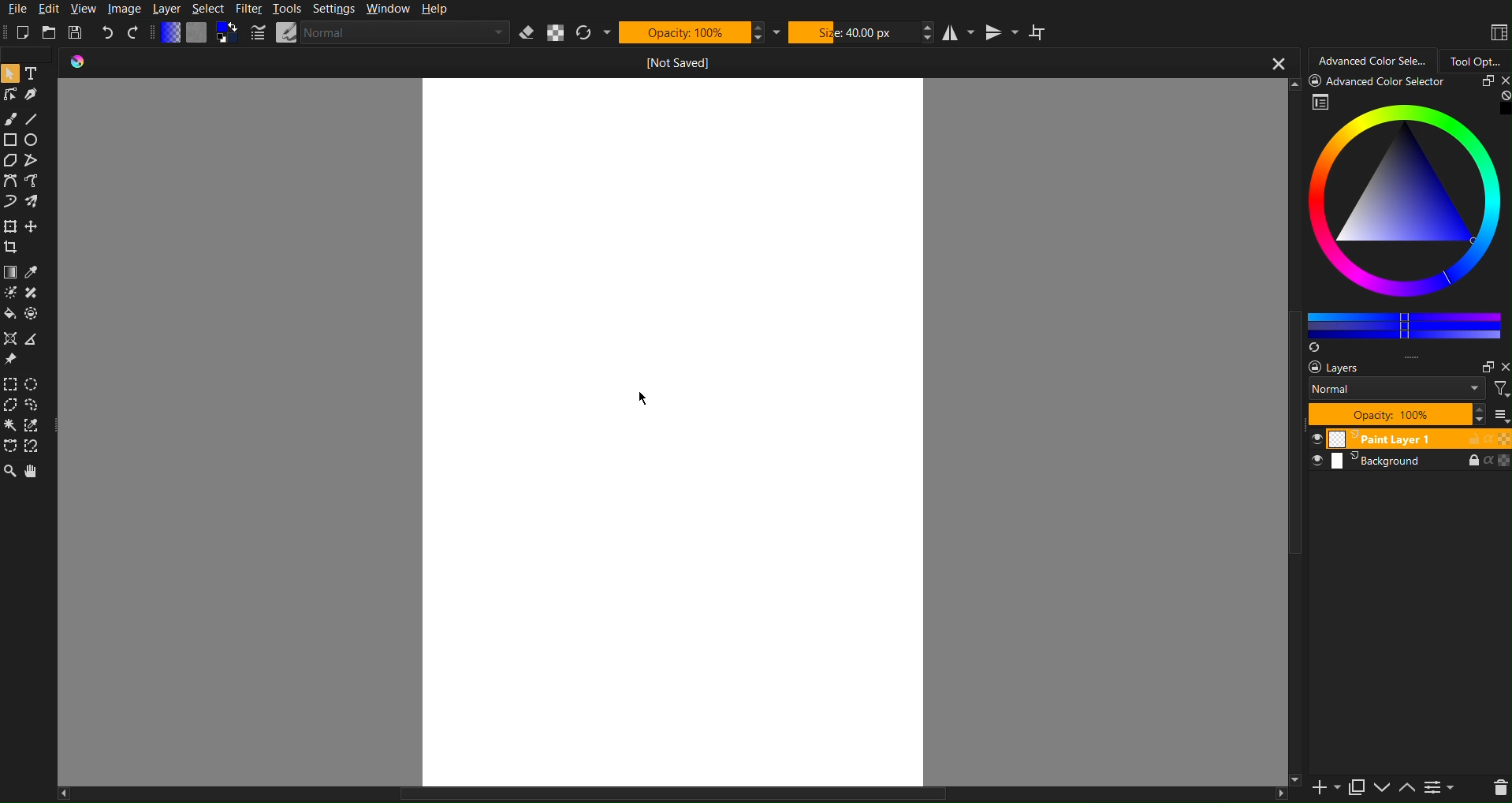 The height and width of the screenshot is (803, 1512). What do you see at coordinates (648, 396) in the screenshot?
I see `Cursor` at bounding box center [648, 396].